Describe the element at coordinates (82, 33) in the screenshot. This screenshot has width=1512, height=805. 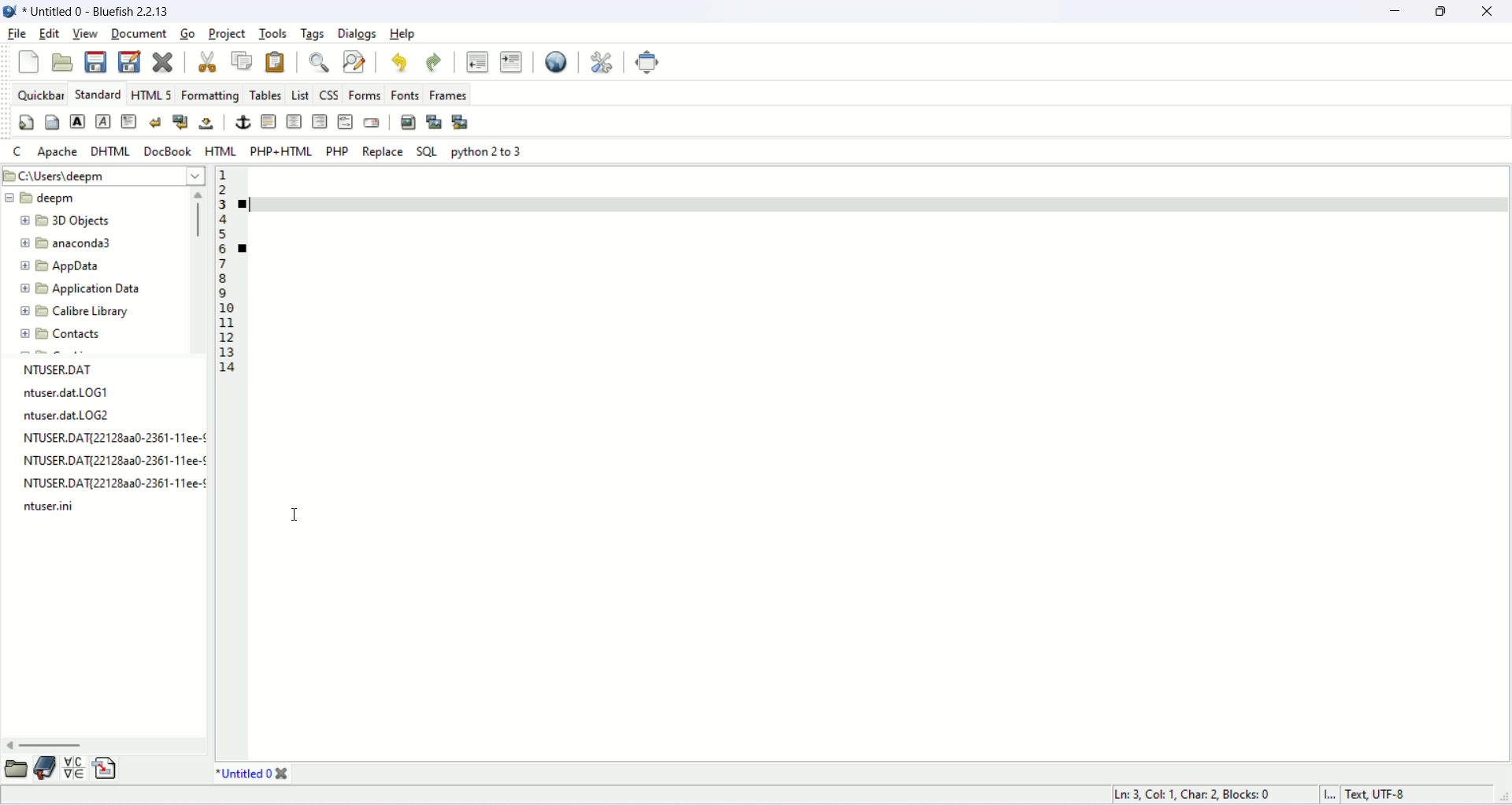
I see `view` at that location.